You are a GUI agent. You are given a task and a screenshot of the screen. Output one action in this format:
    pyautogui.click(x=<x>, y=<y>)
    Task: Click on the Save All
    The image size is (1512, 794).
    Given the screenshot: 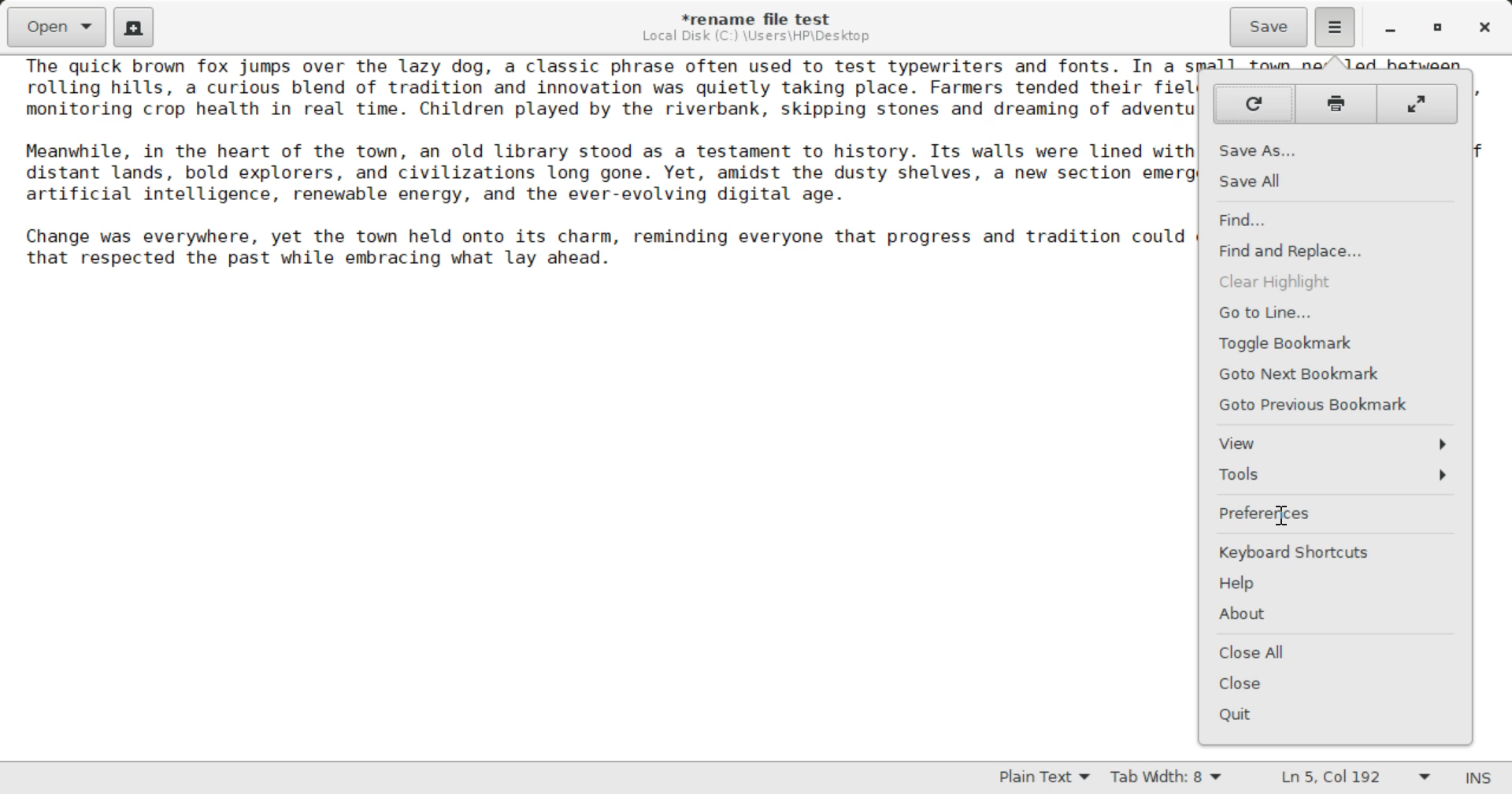 What is the action you would take?
    pyautogui.click(x=1332, y=183)
    